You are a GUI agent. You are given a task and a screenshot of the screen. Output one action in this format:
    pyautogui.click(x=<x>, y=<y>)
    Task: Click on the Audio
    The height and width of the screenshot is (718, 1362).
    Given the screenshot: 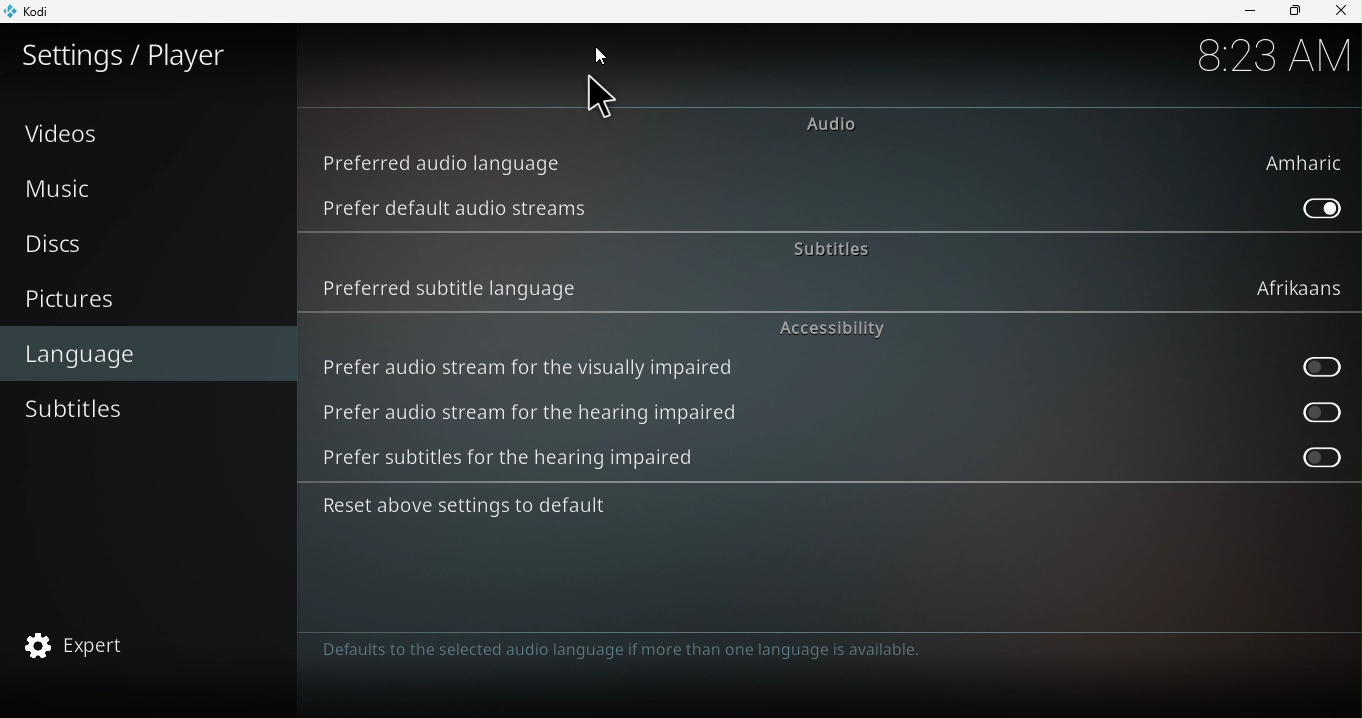 What is the action you would take?
    pyautogui.click(x=828, y=123)
    